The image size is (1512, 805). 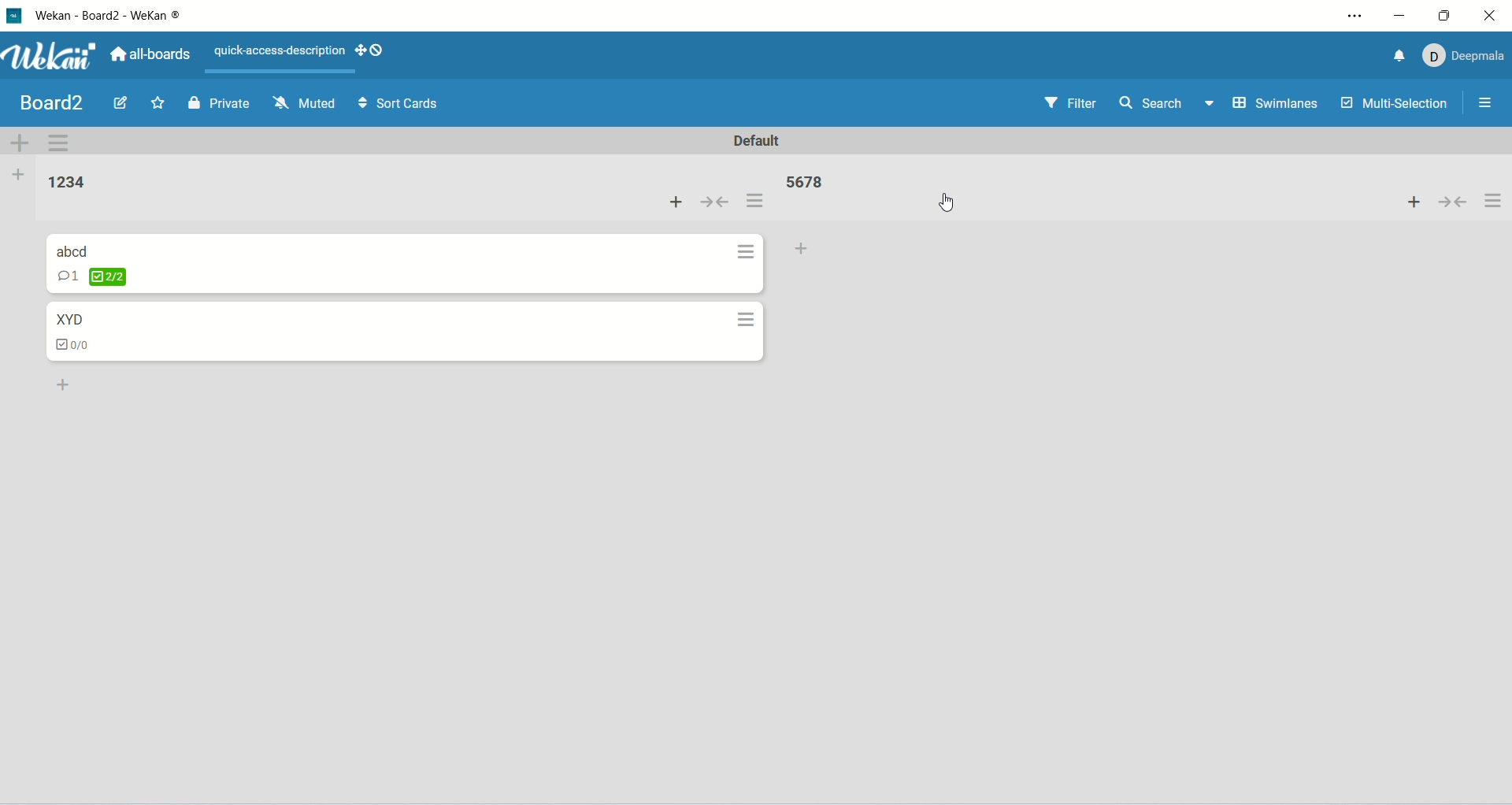 What do you see at coordinates (714, 202) in the screenshot?
I see `collapse` at bounding box center [714, 202].